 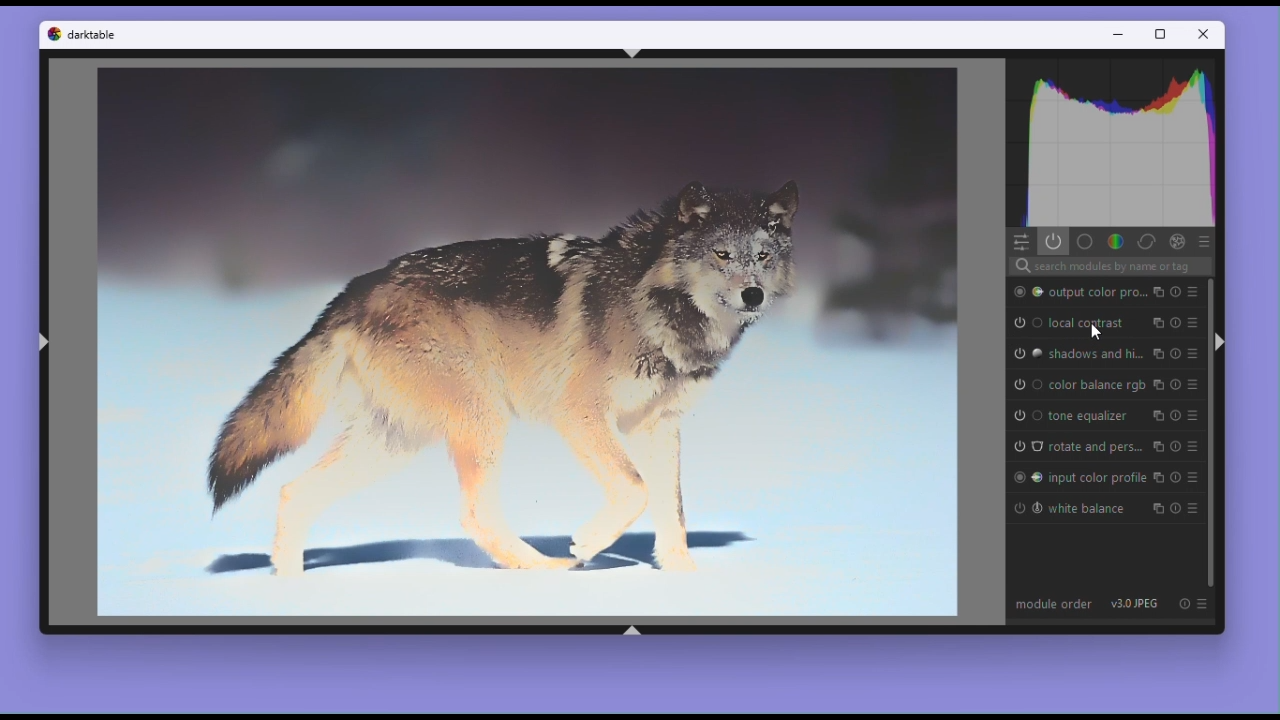 I want to click on preset, so click(x=1197, y=505).